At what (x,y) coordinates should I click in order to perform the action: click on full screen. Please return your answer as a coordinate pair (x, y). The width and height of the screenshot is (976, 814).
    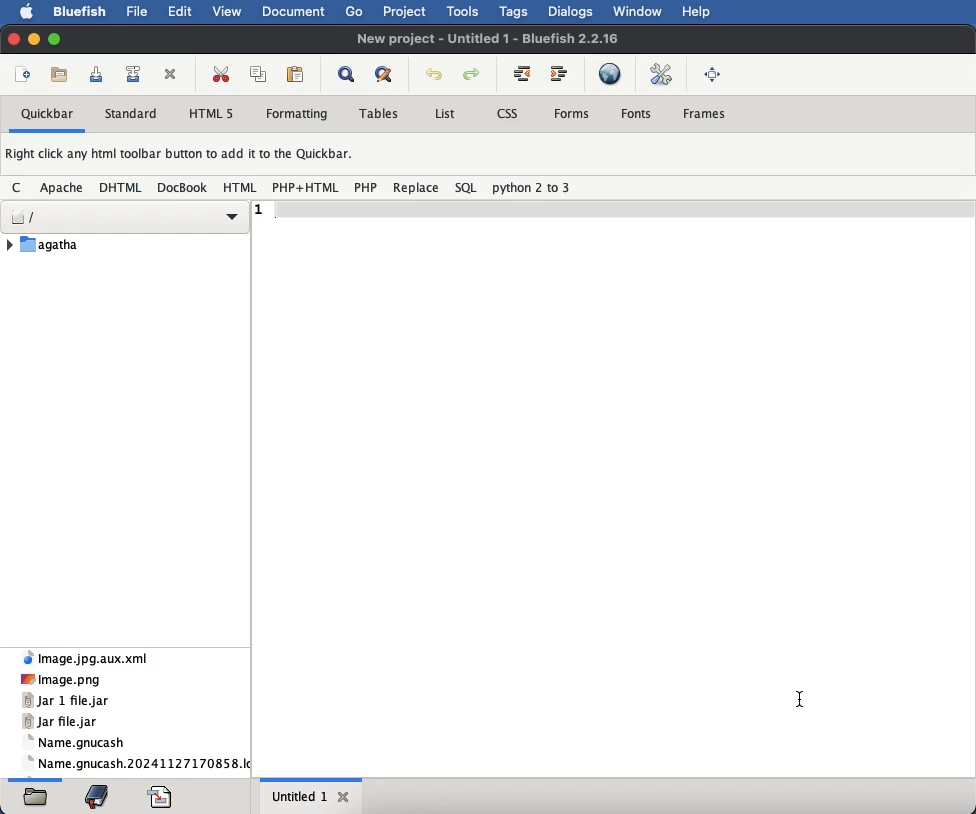
    Looking at the image, I should click on (714, 73).